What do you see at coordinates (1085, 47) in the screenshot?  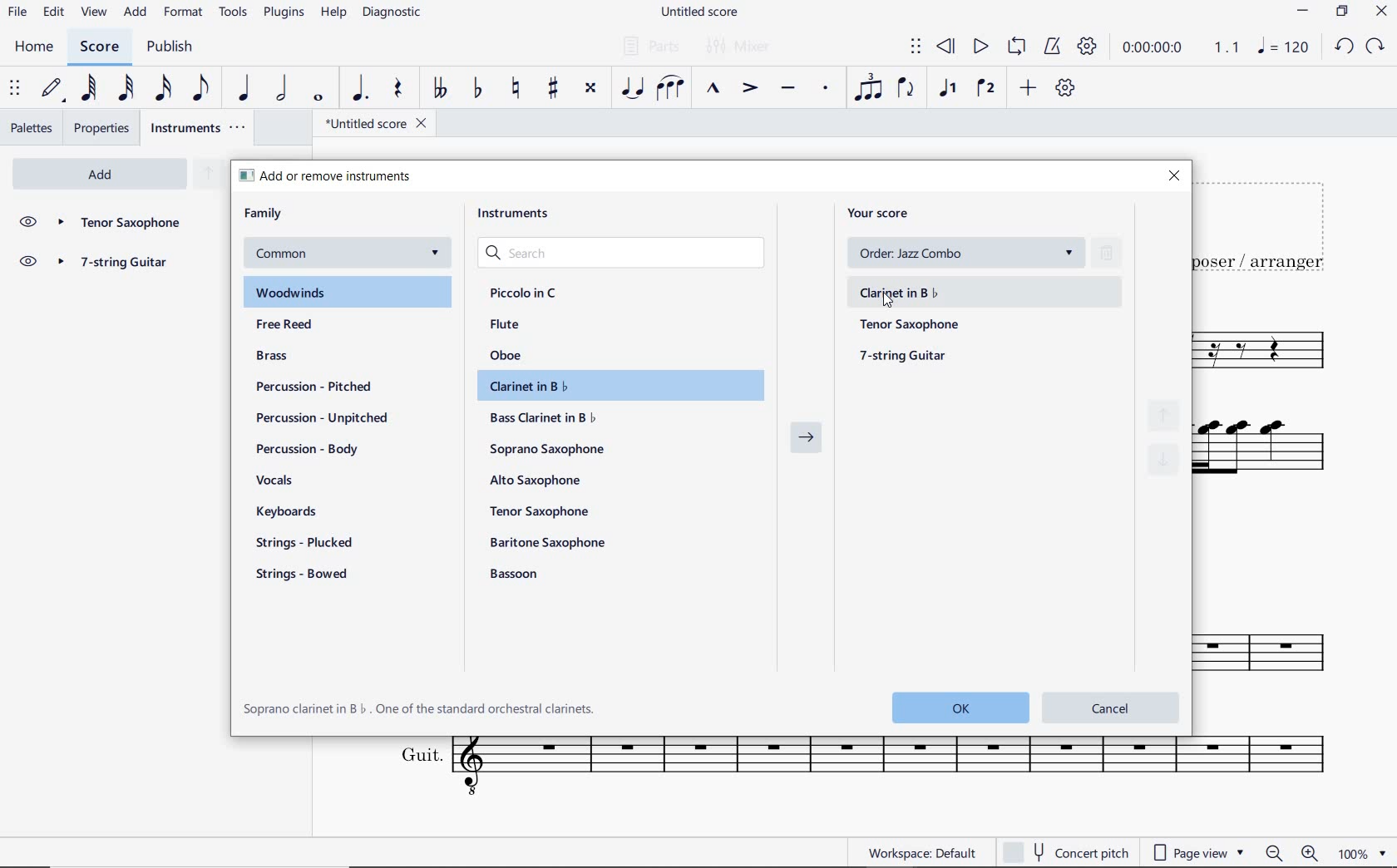 I see `PLAYBACK SETTINGS` at bounding box center [1085, 47].